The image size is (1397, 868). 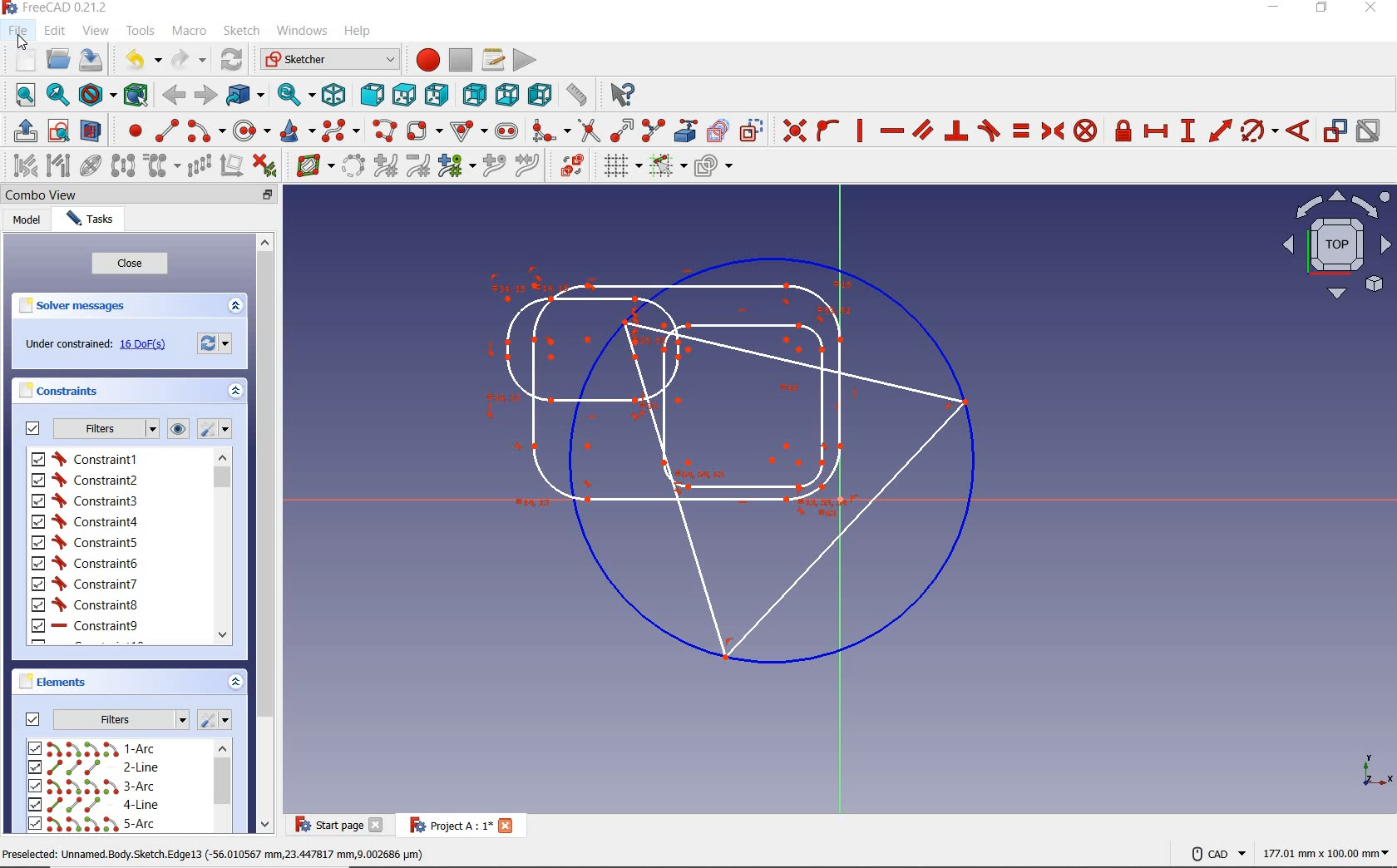 I want to click on show/hide internal geometry, so click(x=91, y=165).